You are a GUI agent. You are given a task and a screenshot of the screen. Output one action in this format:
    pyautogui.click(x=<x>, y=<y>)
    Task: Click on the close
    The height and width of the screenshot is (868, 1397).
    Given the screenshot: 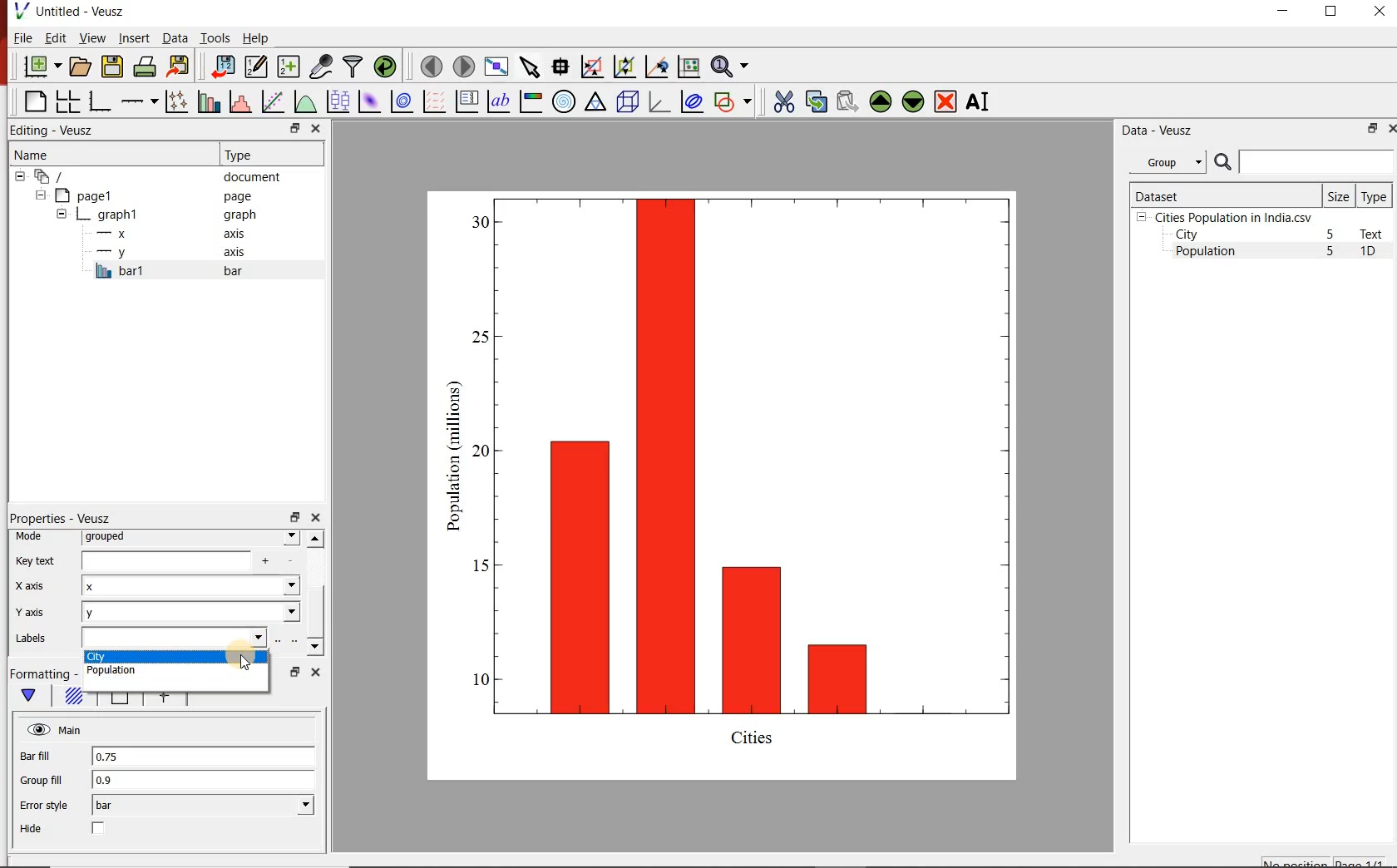 What is the action you would take?
    pyautogui.click(x=1390, y=128)
    